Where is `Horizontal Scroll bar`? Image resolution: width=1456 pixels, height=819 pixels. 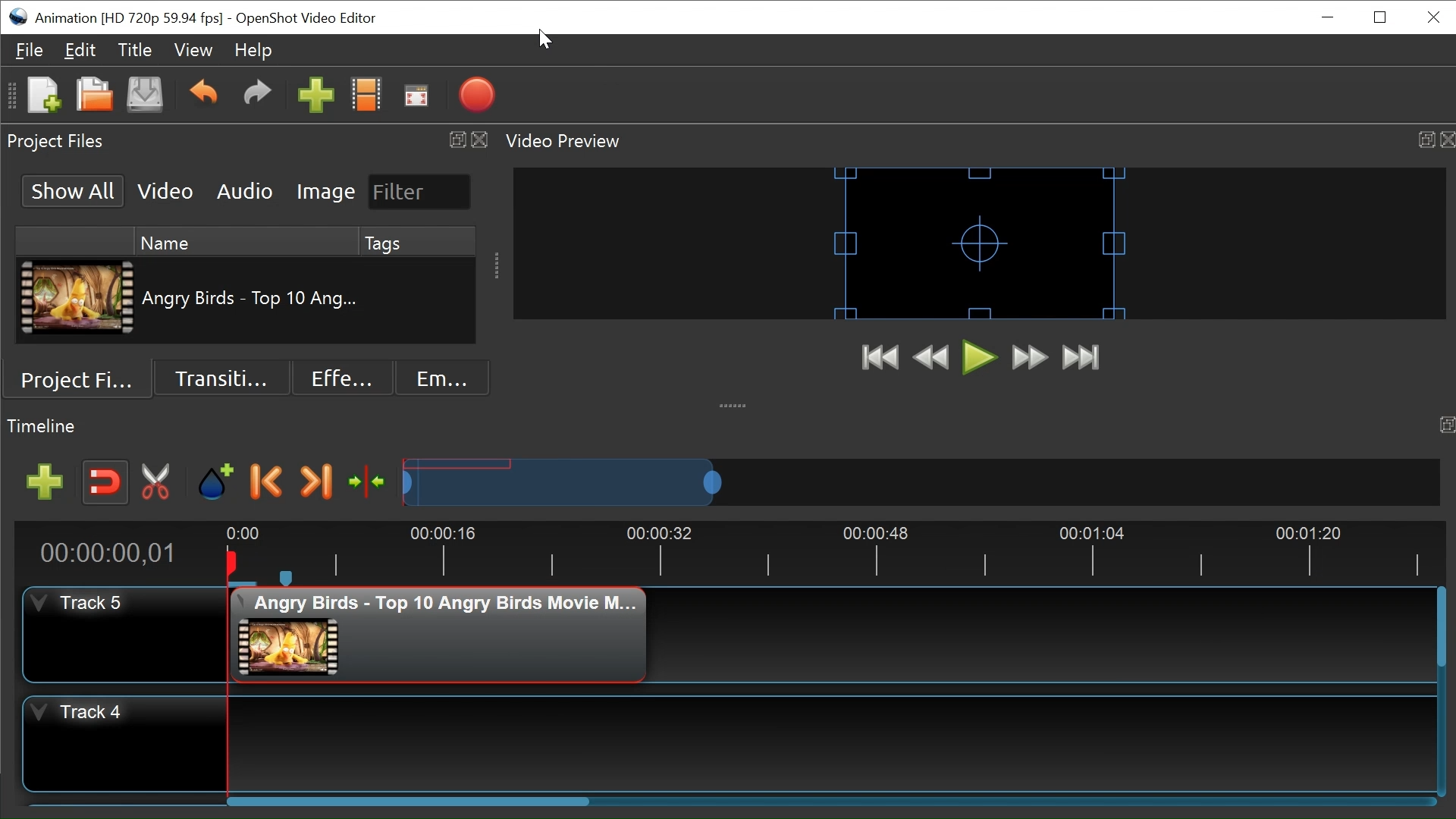 Horizontal Scroll bar is located at coordinates (406, 799).